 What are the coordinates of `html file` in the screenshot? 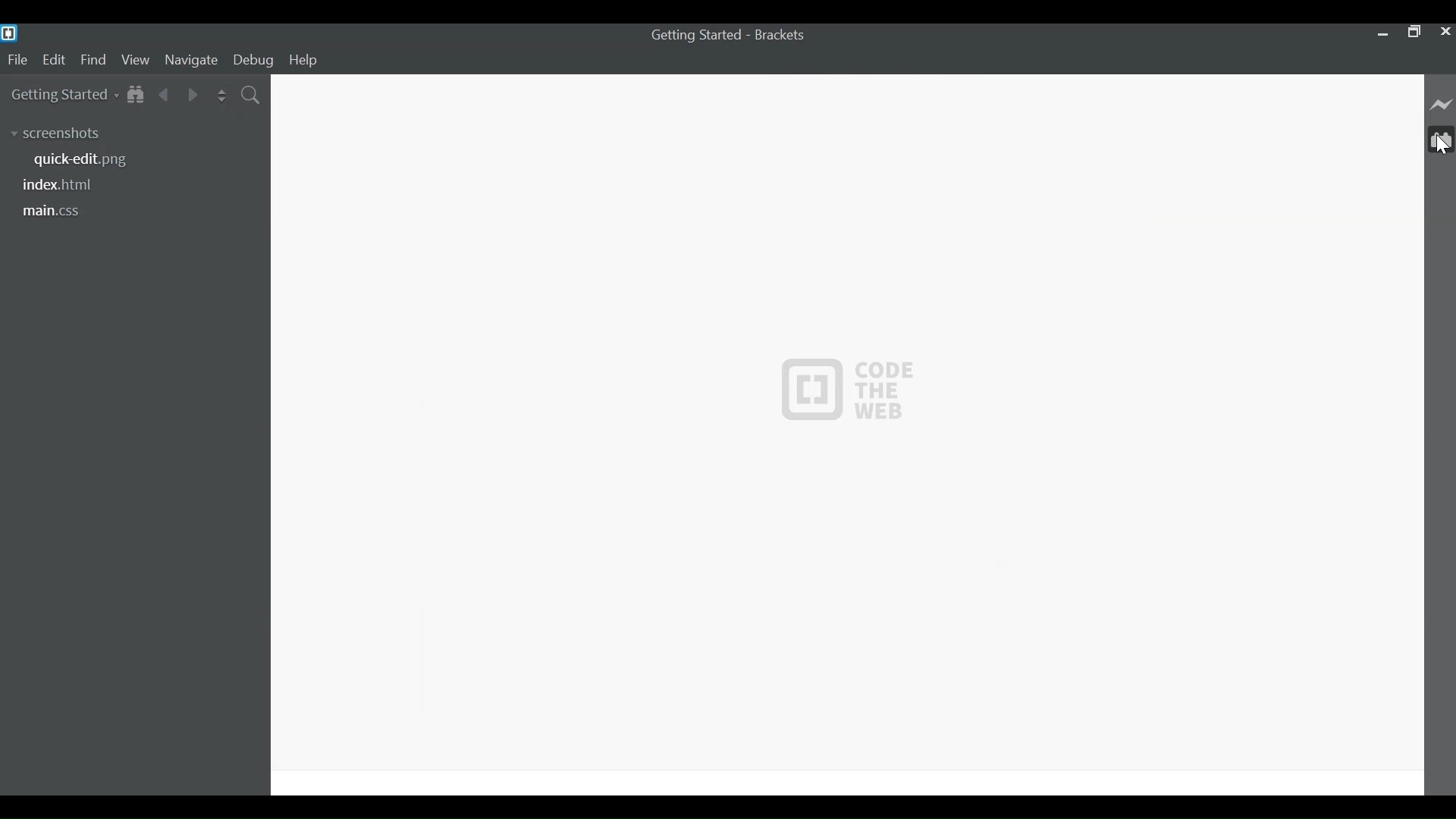 It's located at (60, 186).